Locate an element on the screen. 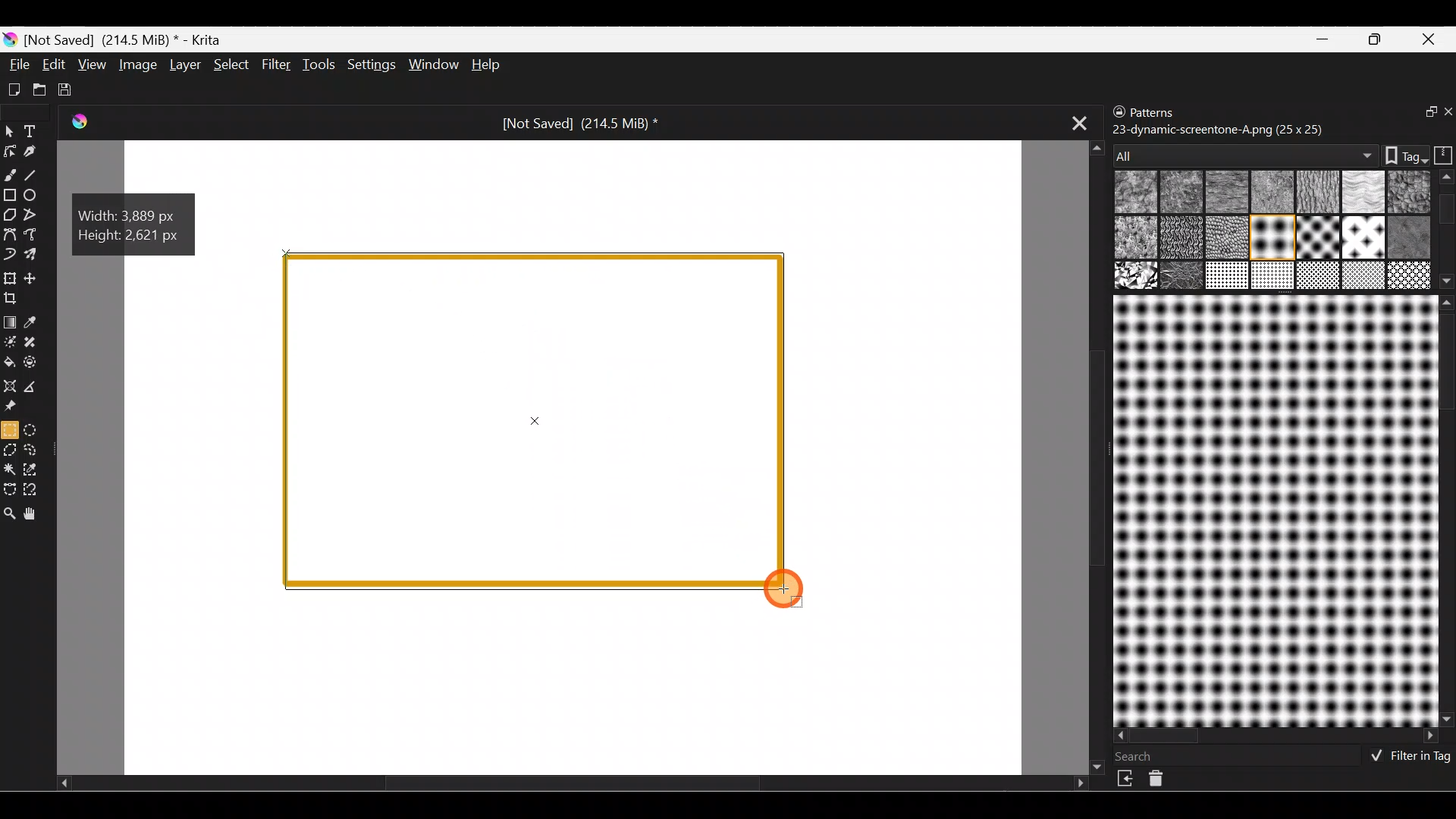 Image resolution: width=1456 pixels, height=819 pixels. Rectangular selection tool is located at coordinates (9, 429).